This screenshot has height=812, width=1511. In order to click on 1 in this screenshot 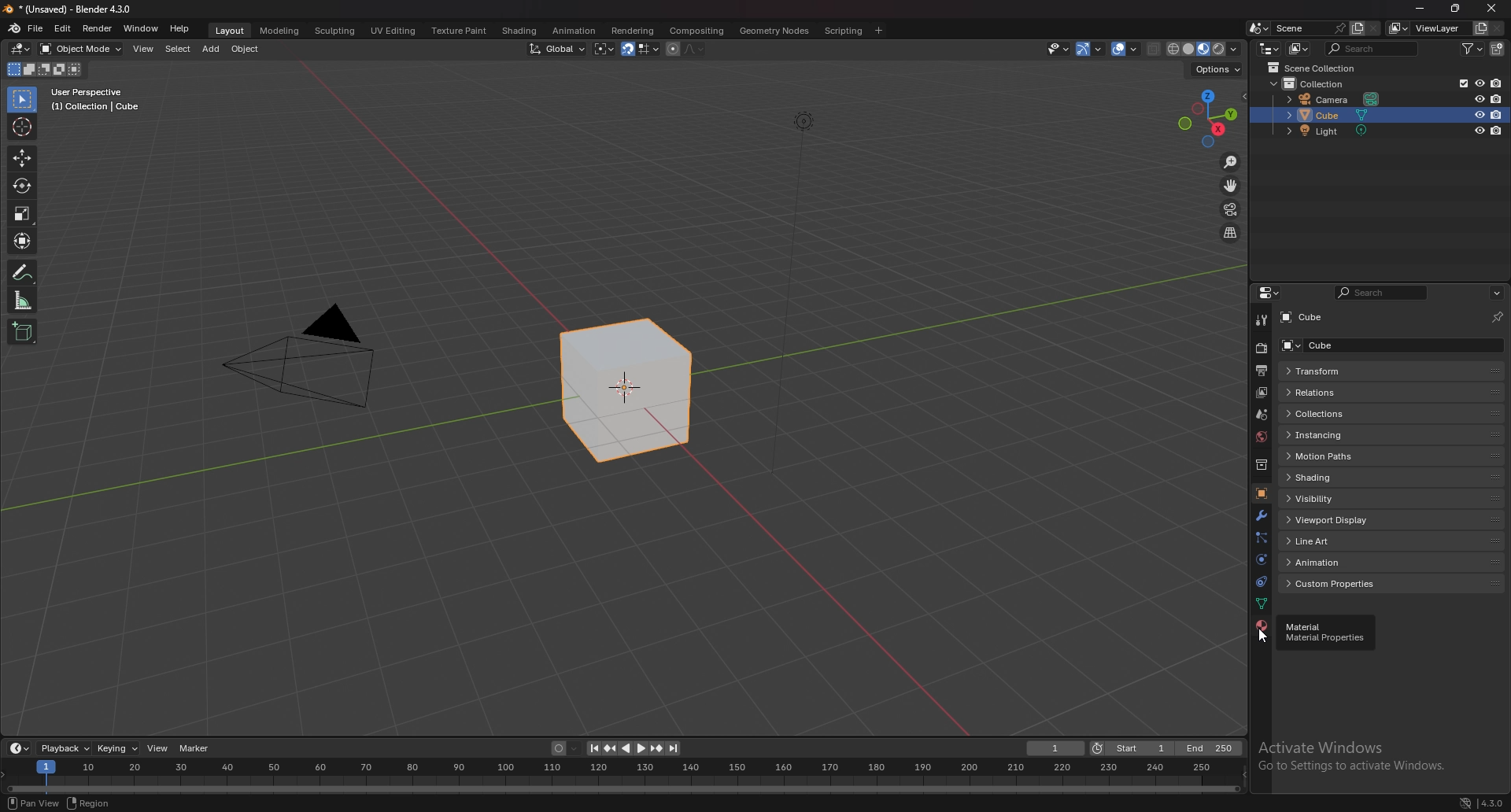, I will do `click(1056, 748)`.